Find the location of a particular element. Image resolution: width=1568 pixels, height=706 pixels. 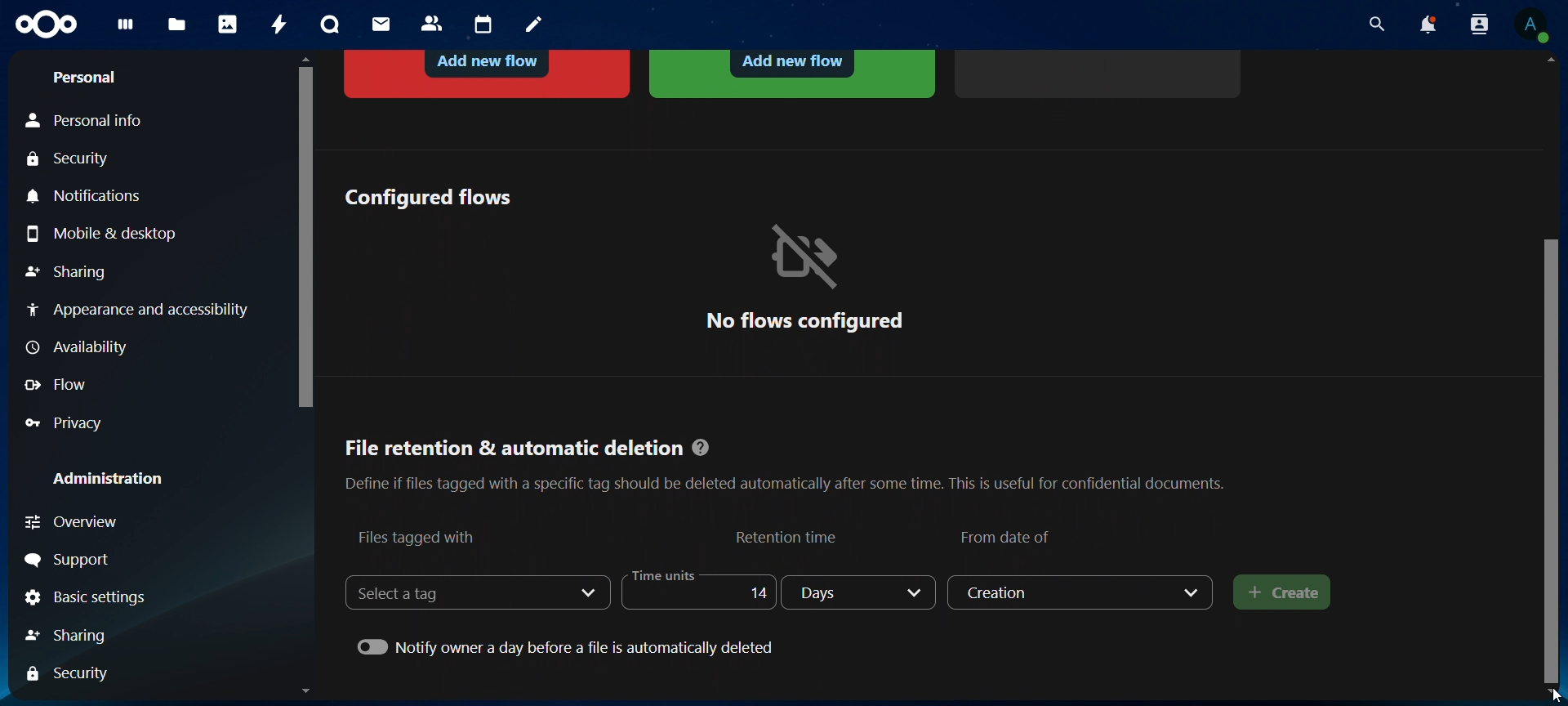

sharing is located at coordinates (84, 633).